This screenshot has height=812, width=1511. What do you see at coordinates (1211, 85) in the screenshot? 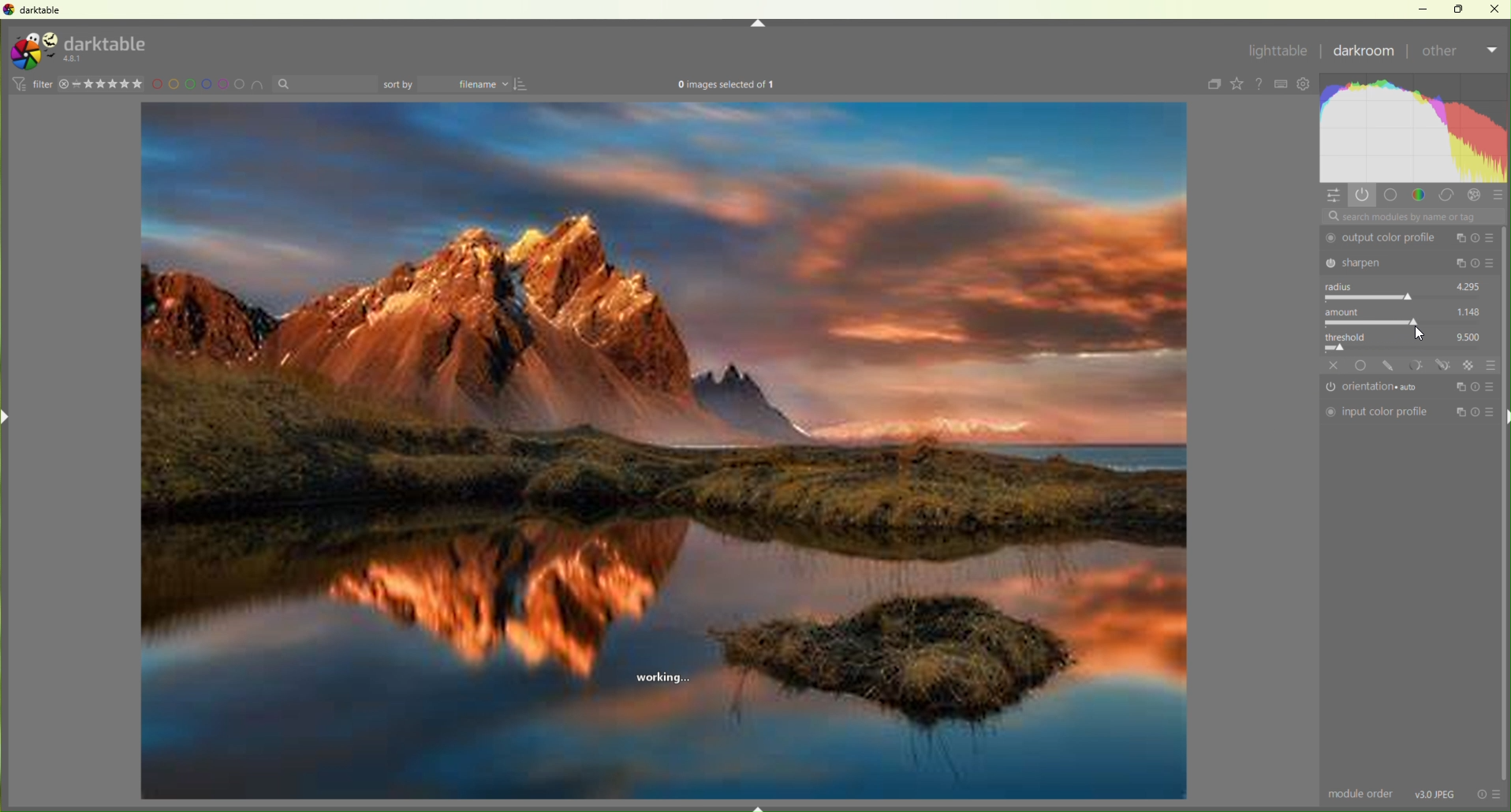
I see `collapse` at bounding box center [1211, 85].